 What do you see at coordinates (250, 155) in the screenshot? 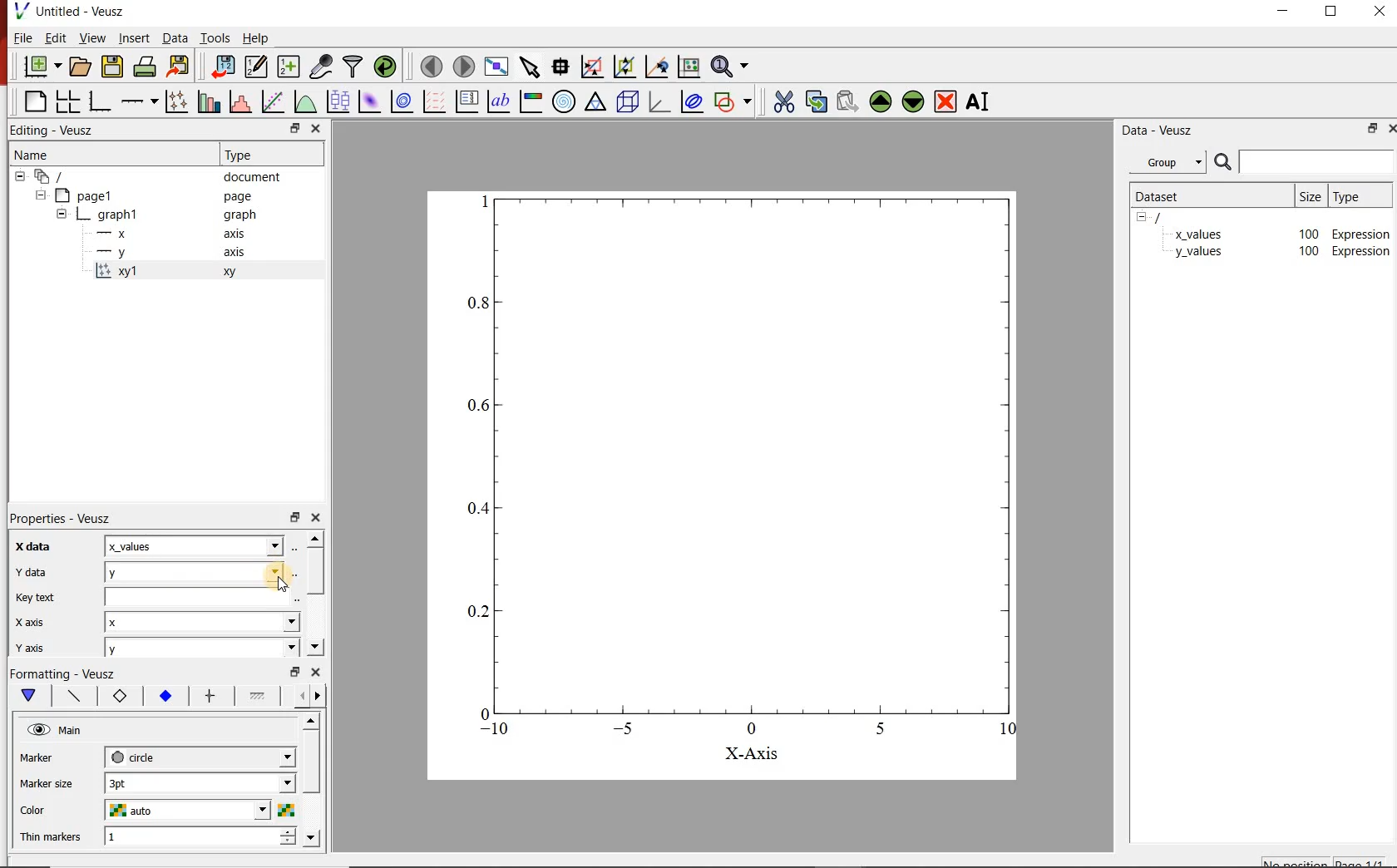
I see `Type` at bounding box center [250, 155].